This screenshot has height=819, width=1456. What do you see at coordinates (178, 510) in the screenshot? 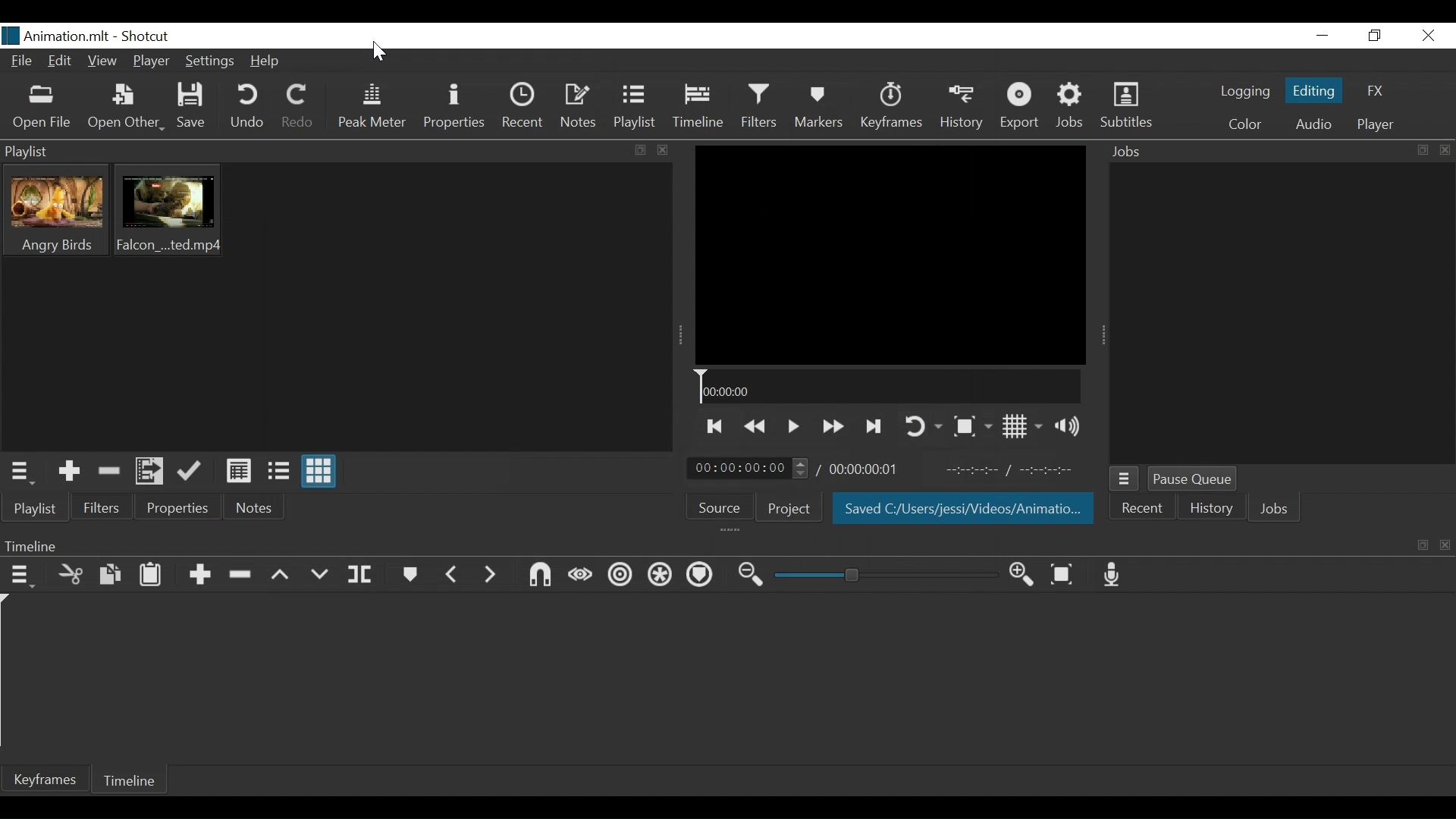
I see `Properties` at bounding box center [178, 510].